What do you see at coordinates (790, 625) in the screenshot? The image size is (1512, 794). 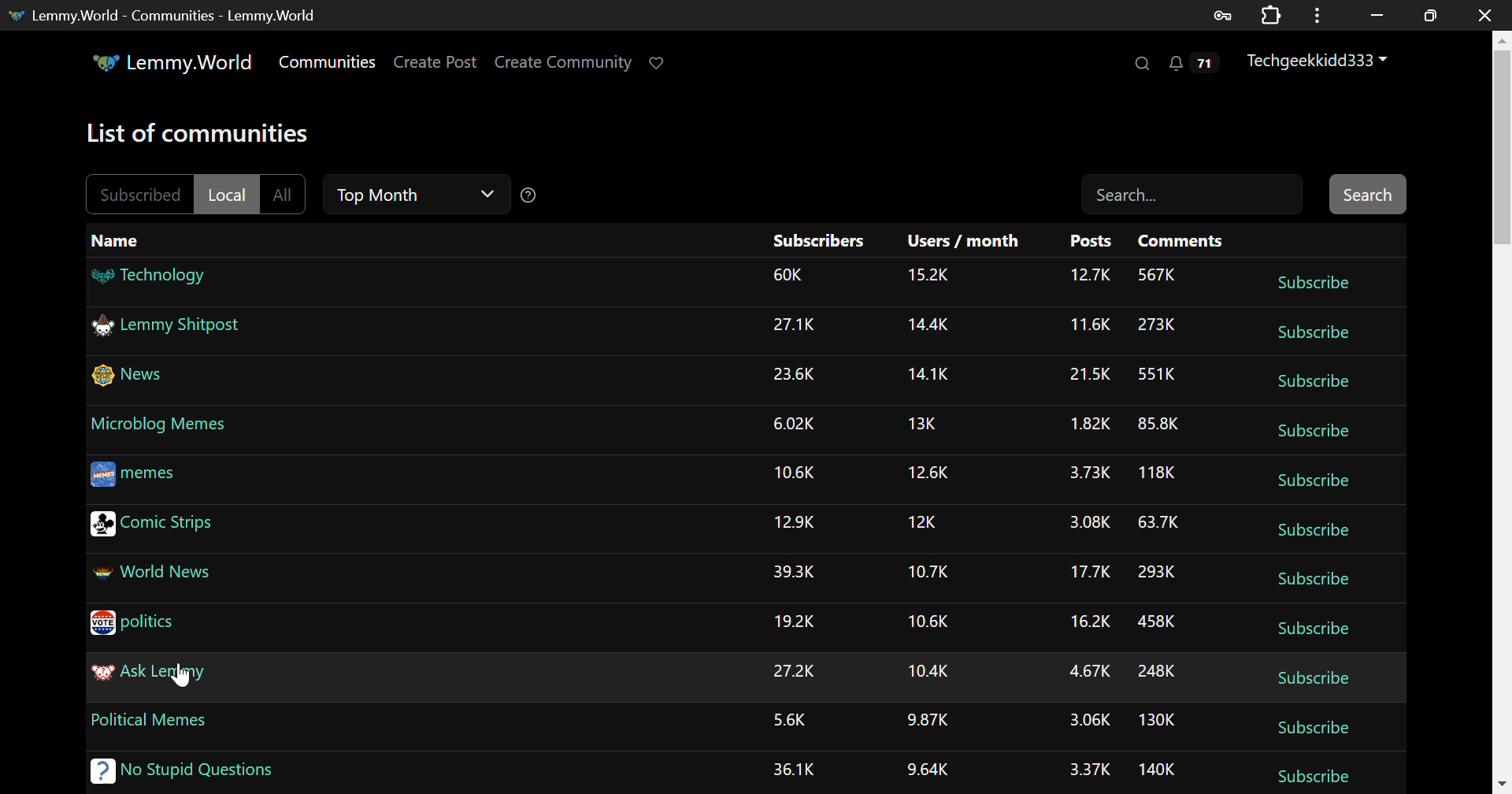 I see `Amount` at bounding box center [790, 625].